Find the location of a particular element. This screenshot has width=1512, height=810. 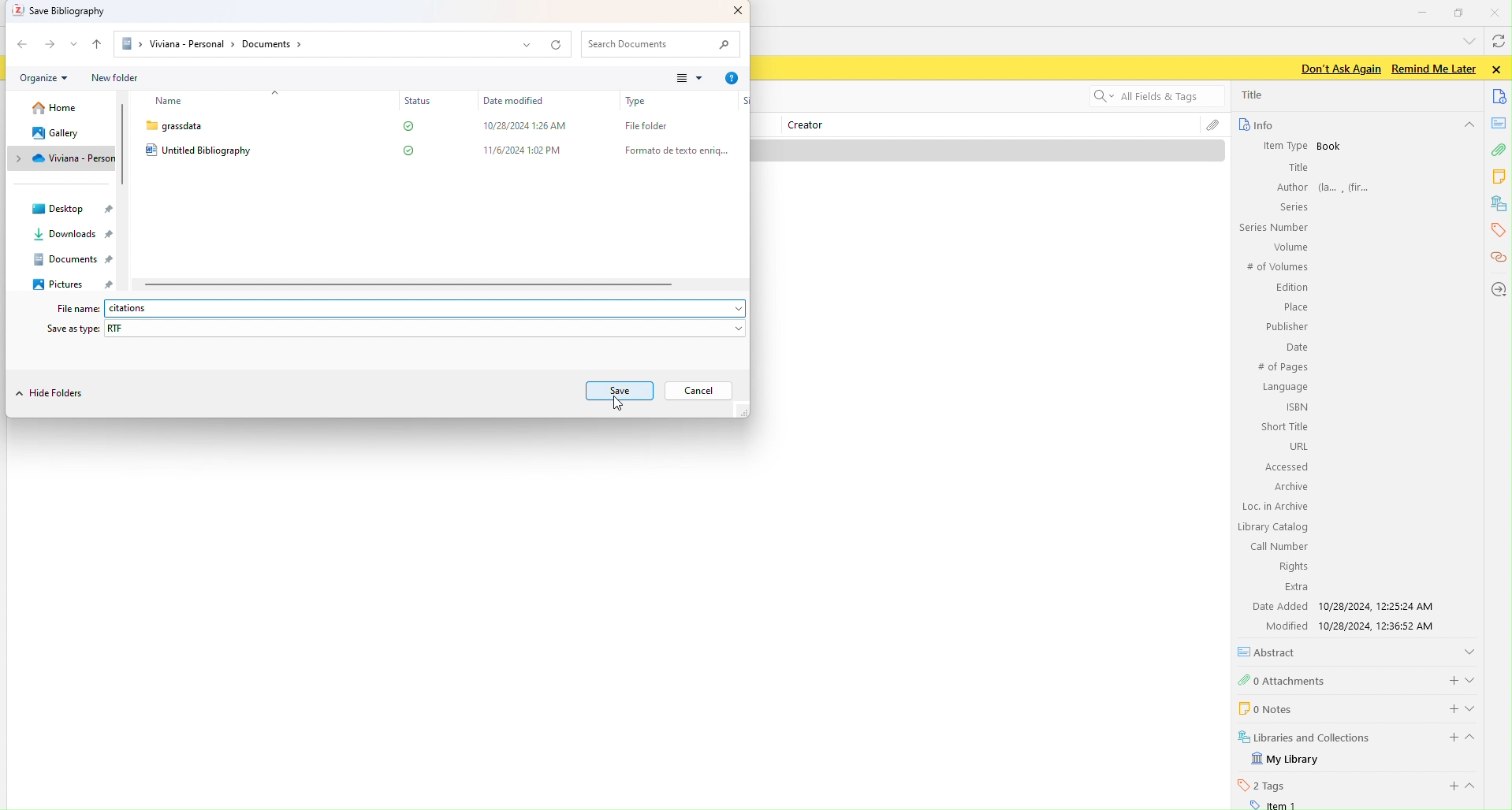

Pictures is located at coordinates (69, 283).